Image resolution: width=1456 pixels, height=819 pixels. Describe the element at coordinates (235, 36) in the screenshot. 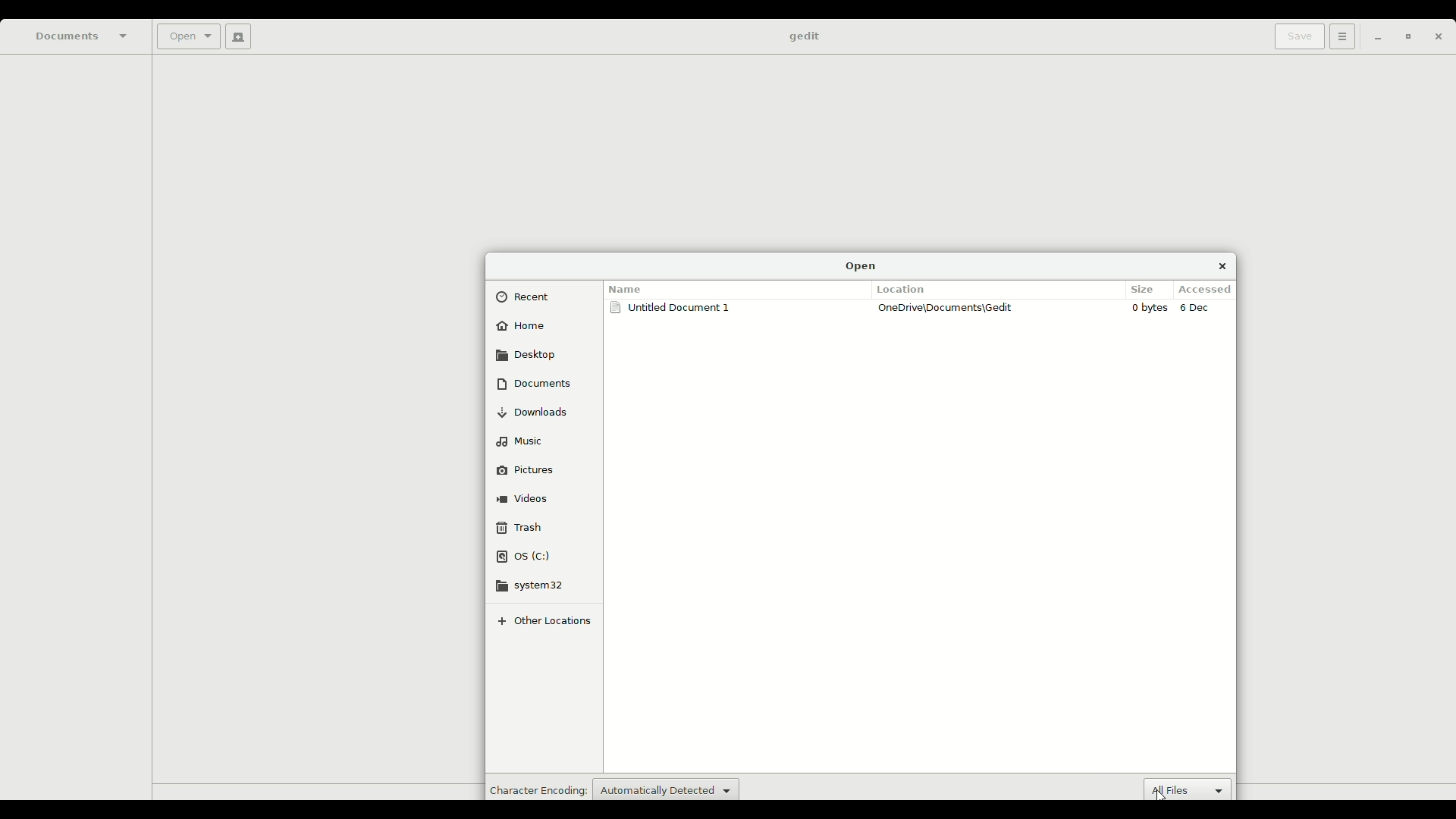

I see `New` at that location.